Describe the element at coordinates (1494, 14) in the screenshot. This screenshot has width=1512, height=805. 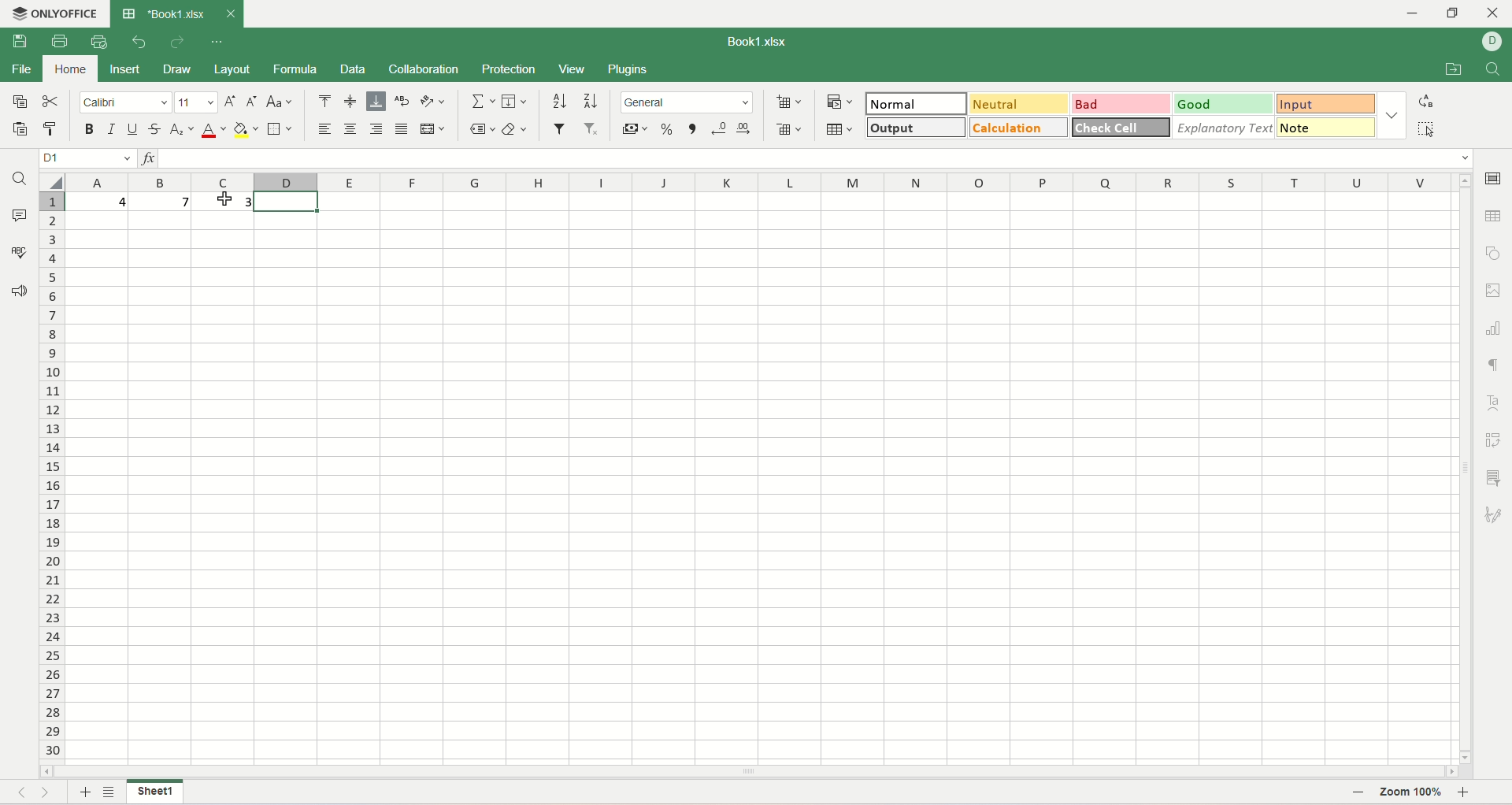
I see `close` at that location.